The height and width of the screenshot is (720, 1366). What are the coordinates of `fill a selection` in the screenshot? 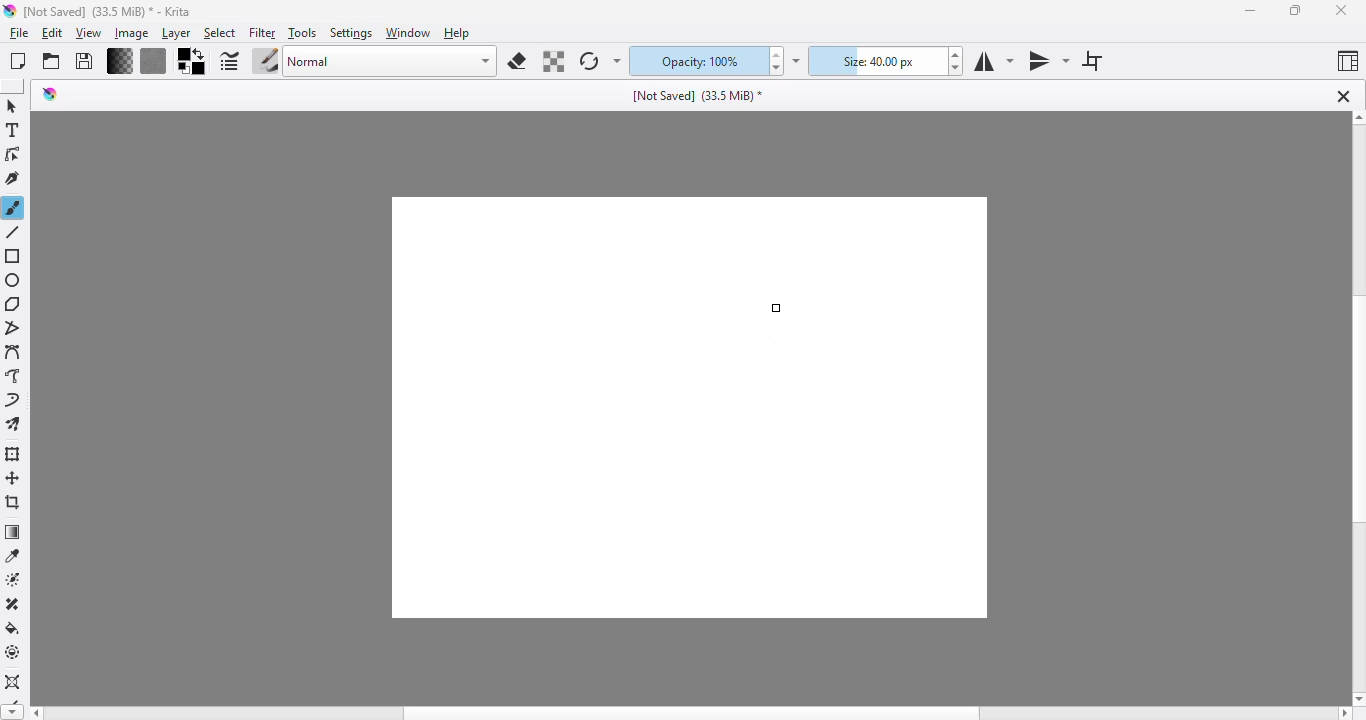 It's located at (13, 629).